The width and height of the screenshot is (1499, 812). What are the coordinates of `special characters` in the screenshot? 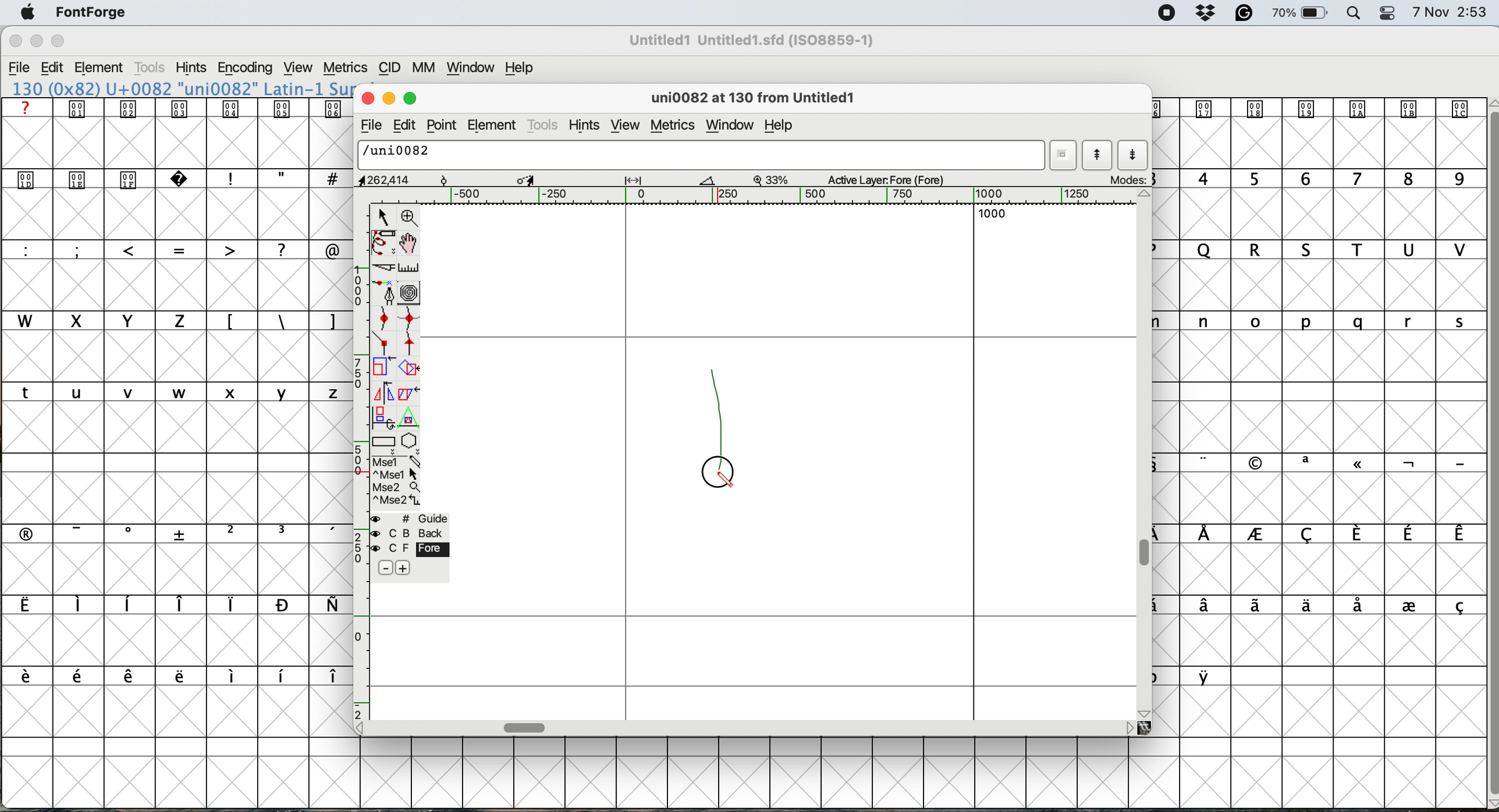 It's located at (278, 320).